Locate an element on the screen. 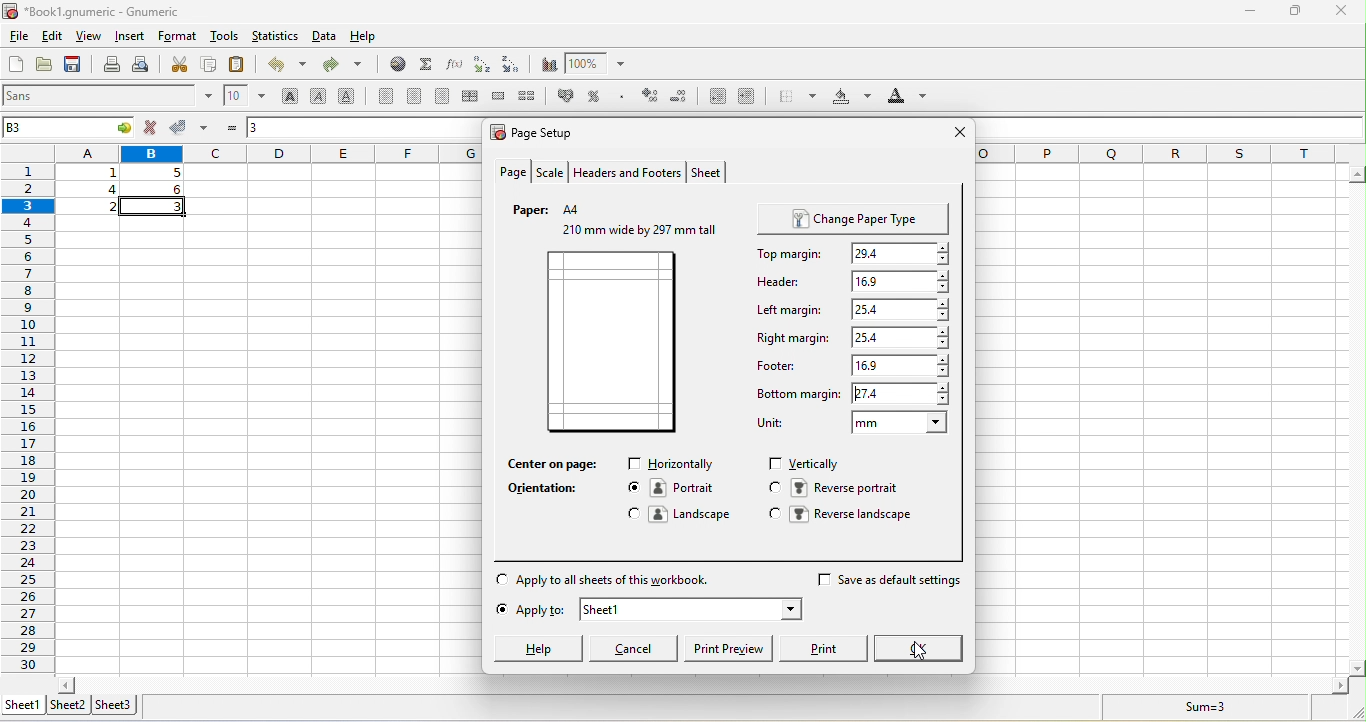 Image resolution: width=1366 pixels, height=722 pixels. new work book is located at coordinates (16, 66).